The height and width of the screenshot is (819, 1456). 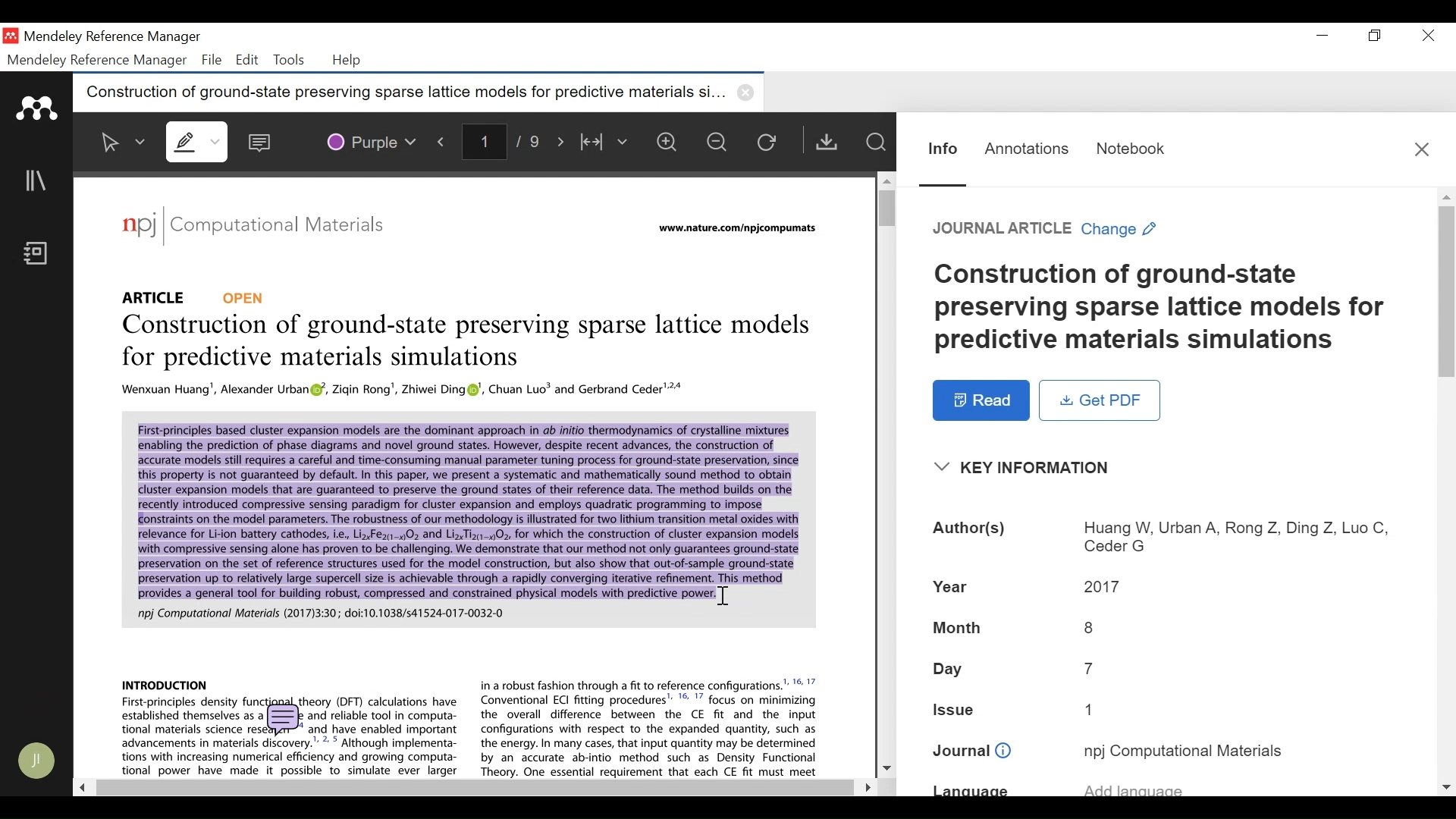 What do you see at coordinates (1103, 585) in the screenshot?
I see `Year` at bounding box center [1103, 585].